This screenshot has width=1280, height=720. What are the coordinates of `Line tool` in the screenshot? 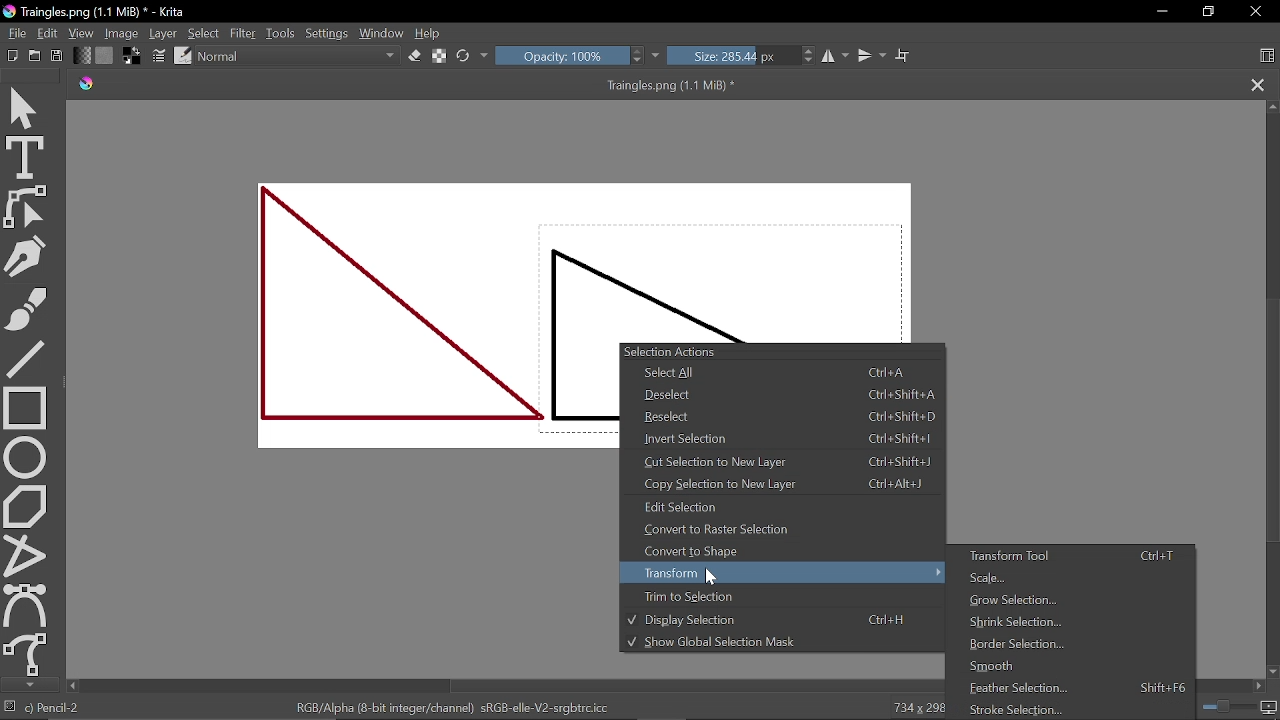 It's located at (25, 357).